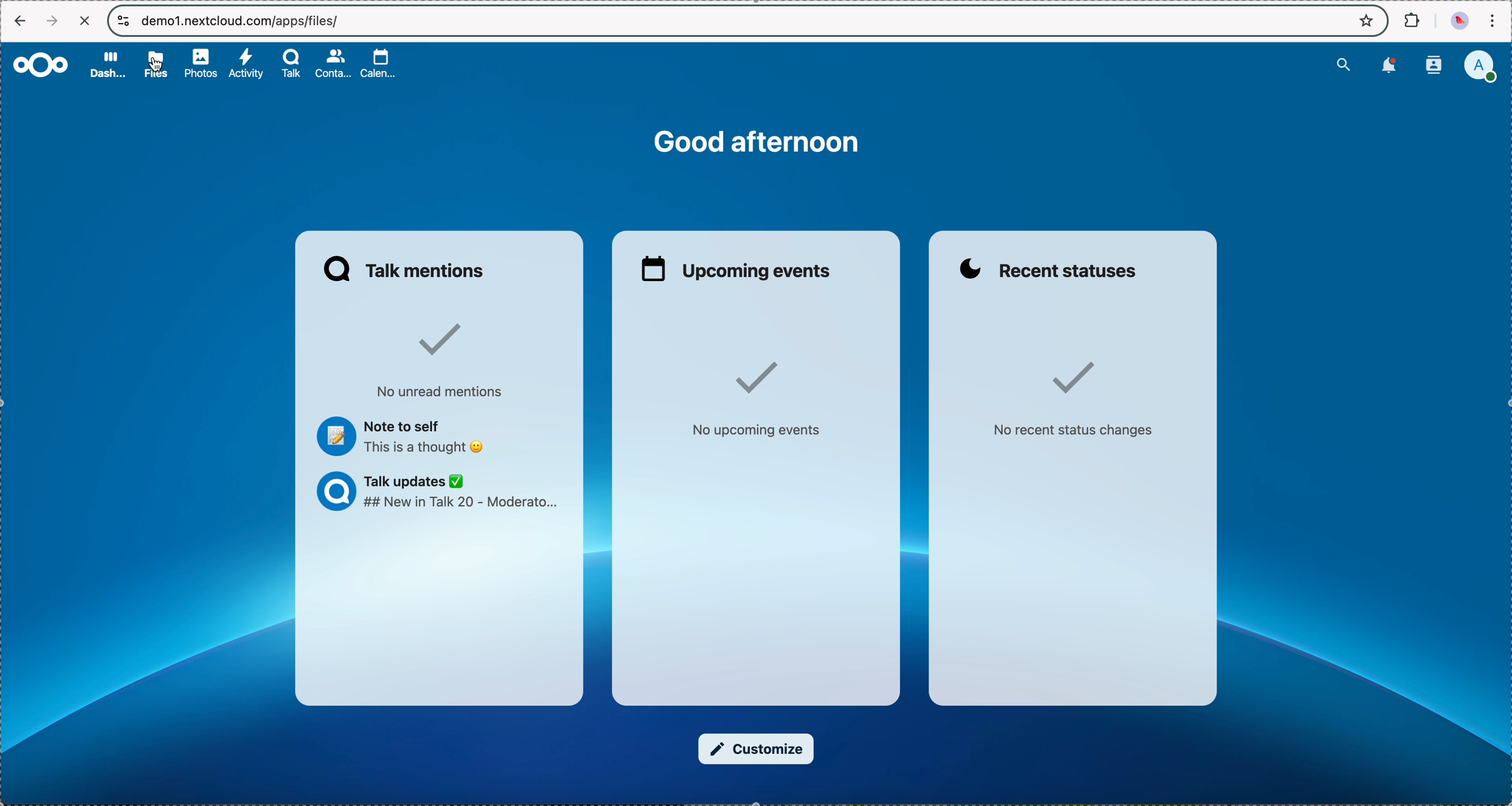  What do you see at coordinates (1052, 269) in the screenshot?
I see `recent statuses` at bounding box center [1052, 269].